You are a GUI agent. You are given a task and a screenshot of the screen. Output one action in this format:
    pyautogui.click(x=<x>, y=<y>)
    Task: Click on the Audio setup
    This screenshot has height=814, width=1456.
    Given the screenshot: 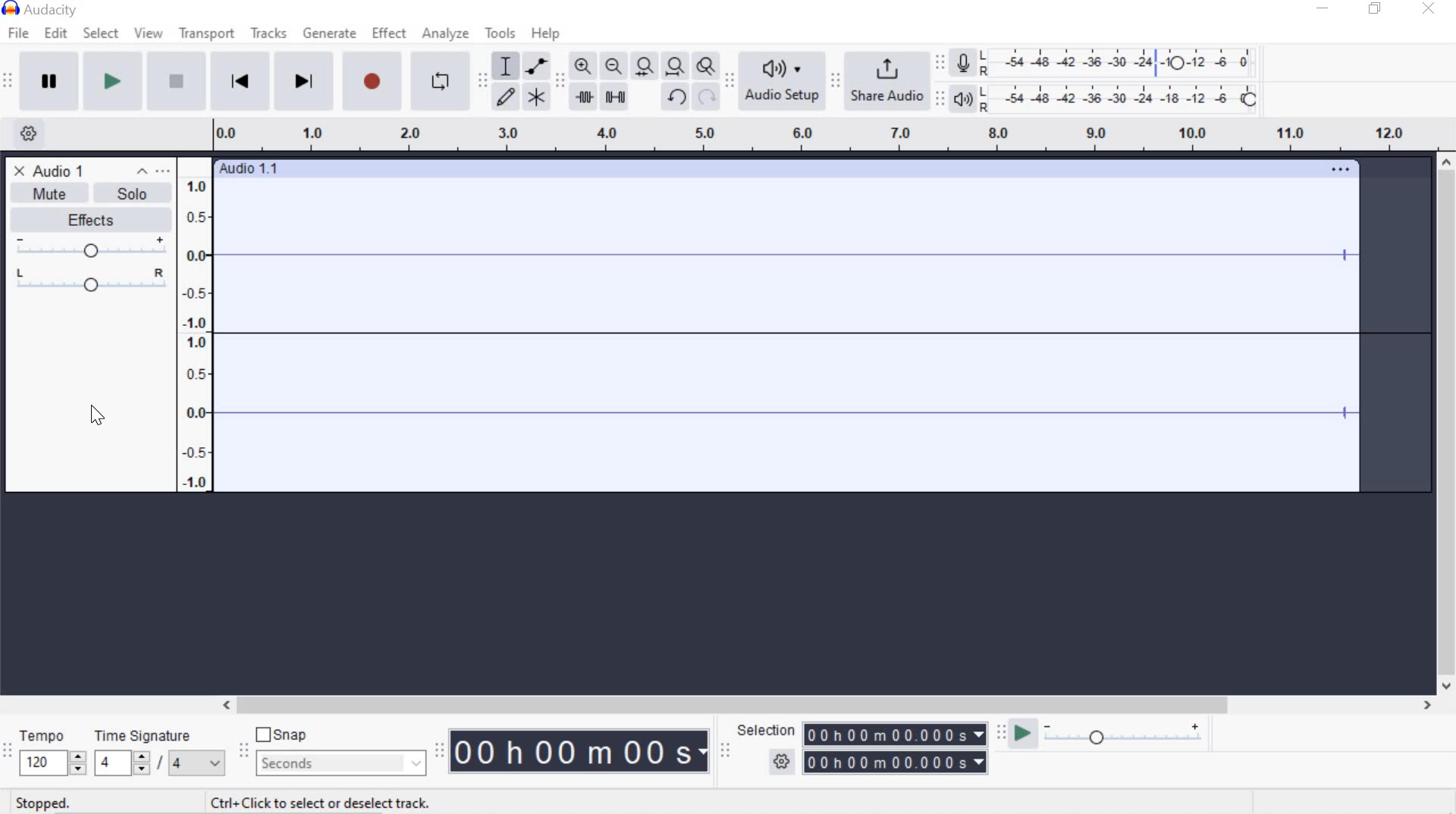 What is the action you would take?
    pyautogui.click(x=782, y=81)
    